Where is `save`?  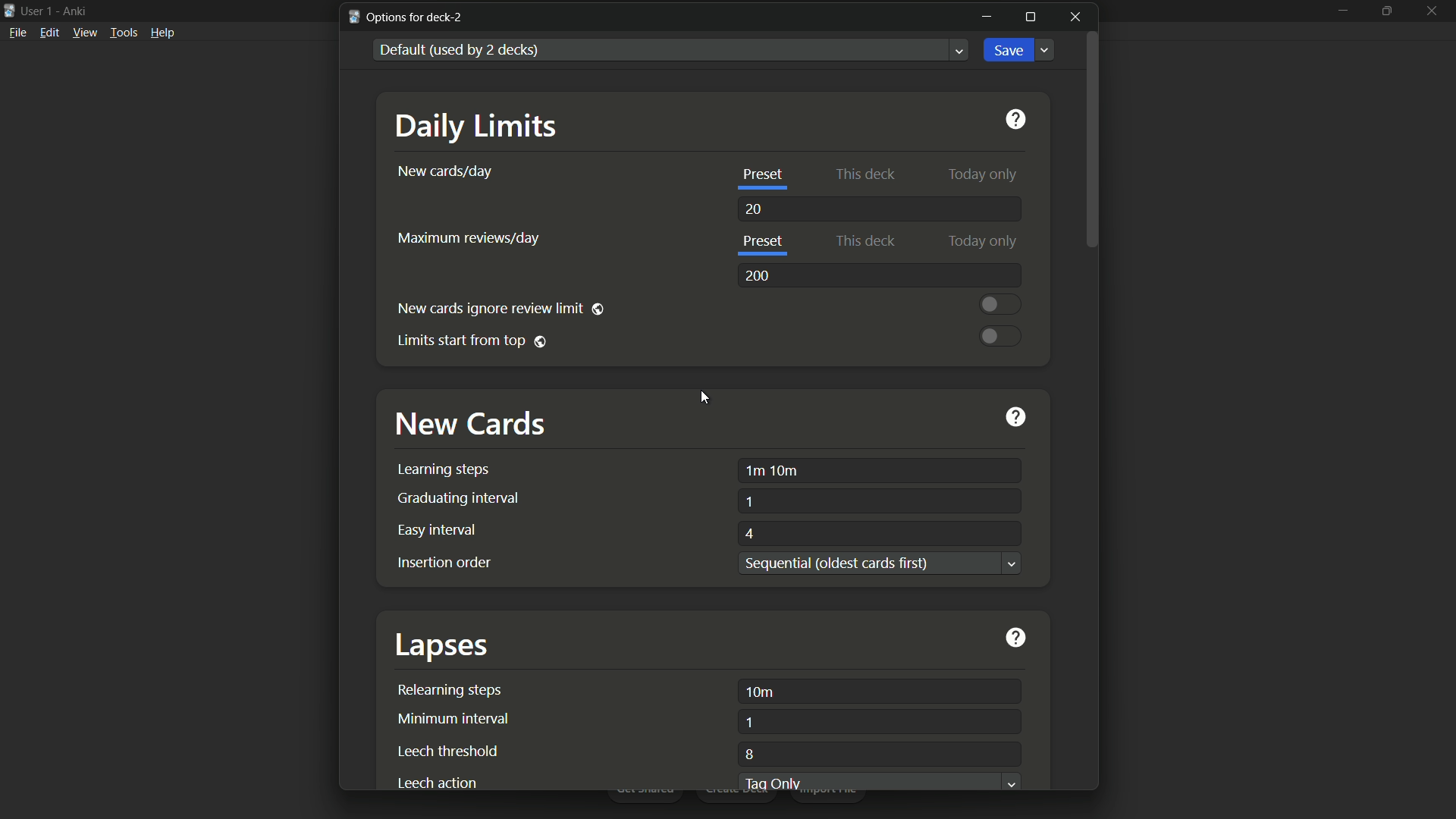
save is located at coordinates (1006, 50).